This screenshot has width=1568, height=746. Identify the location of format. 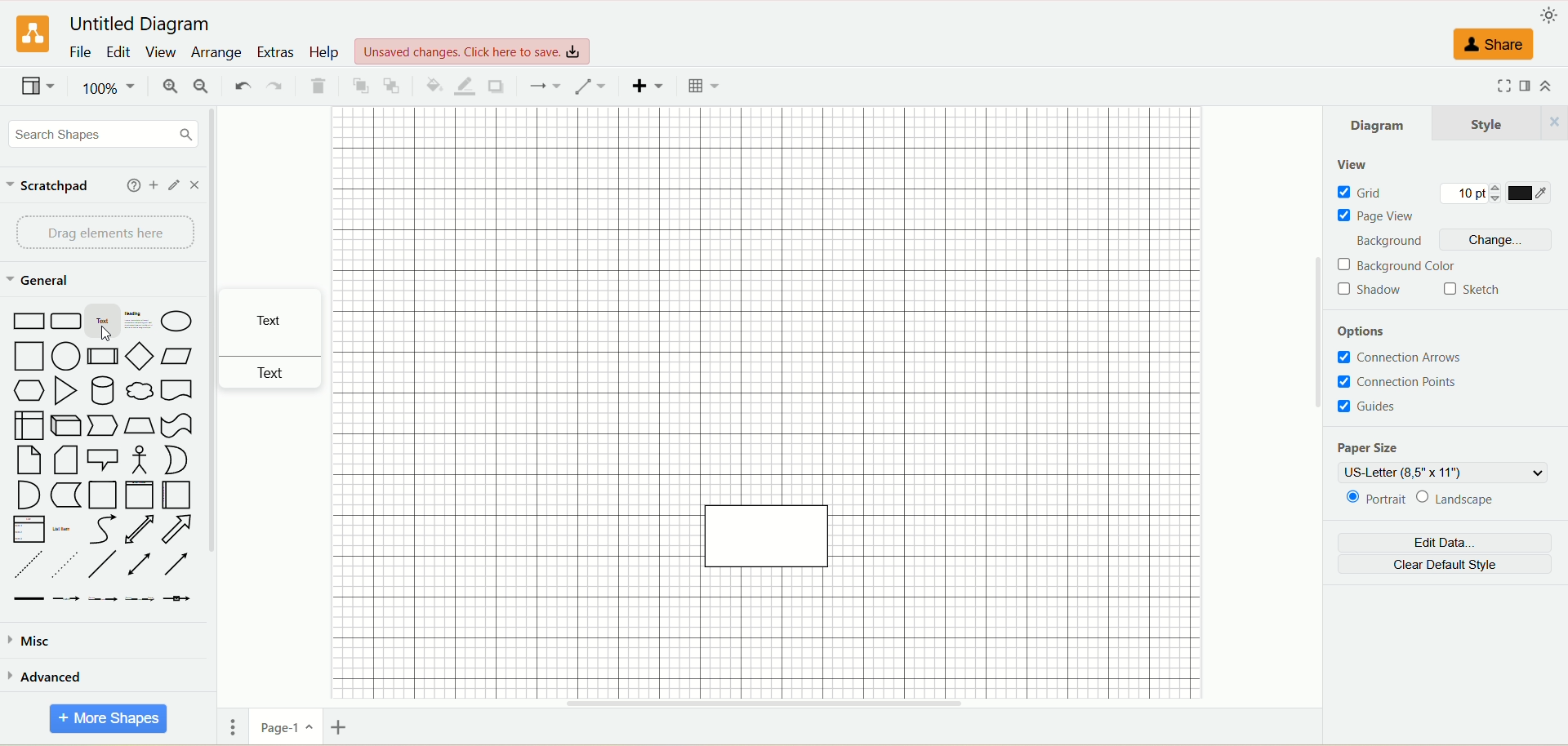
(1522, 87).